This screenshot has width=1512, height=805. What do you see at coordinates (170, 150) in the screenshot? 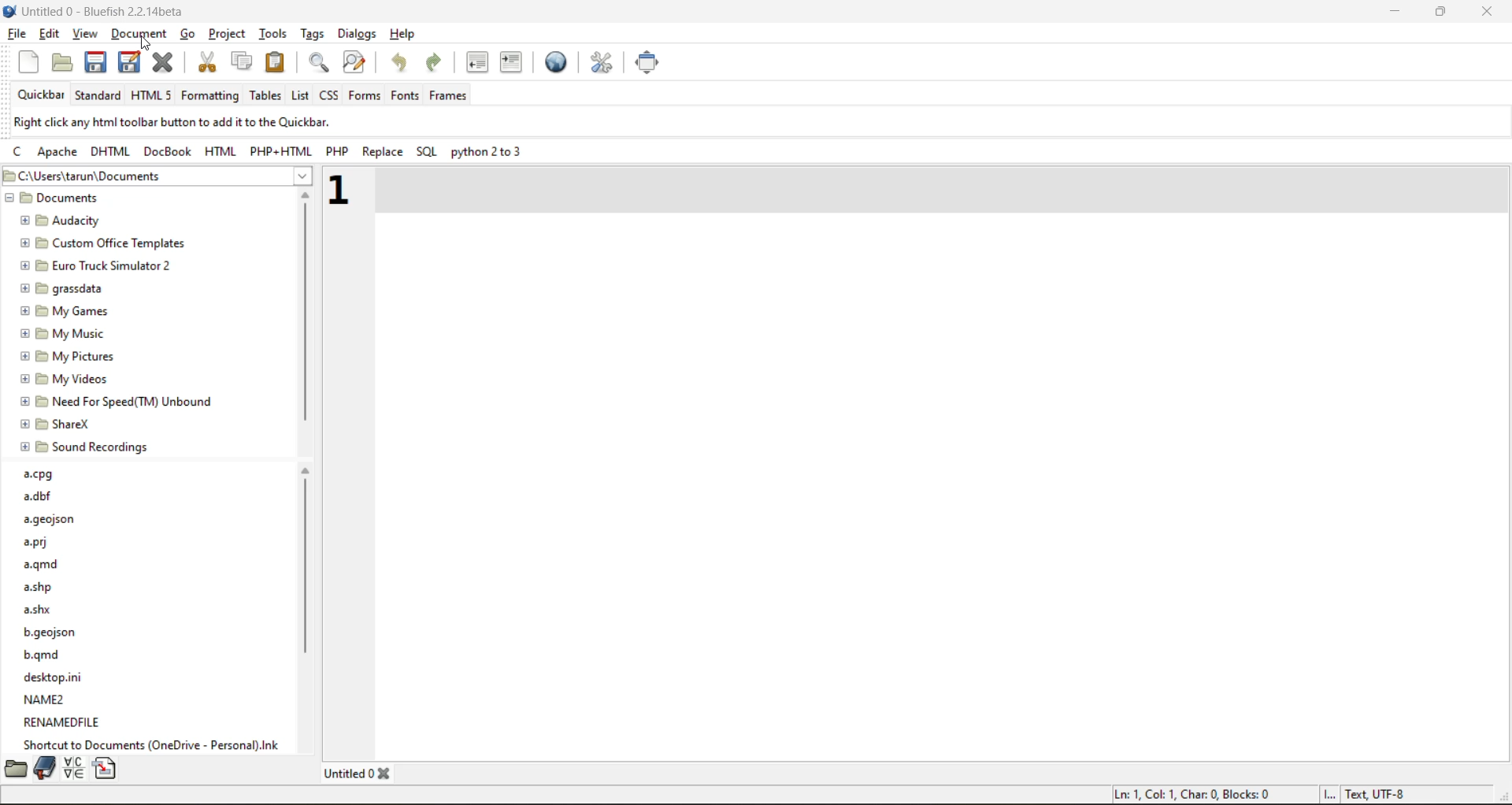
I see `docbook` at bounding box center [170, 150].